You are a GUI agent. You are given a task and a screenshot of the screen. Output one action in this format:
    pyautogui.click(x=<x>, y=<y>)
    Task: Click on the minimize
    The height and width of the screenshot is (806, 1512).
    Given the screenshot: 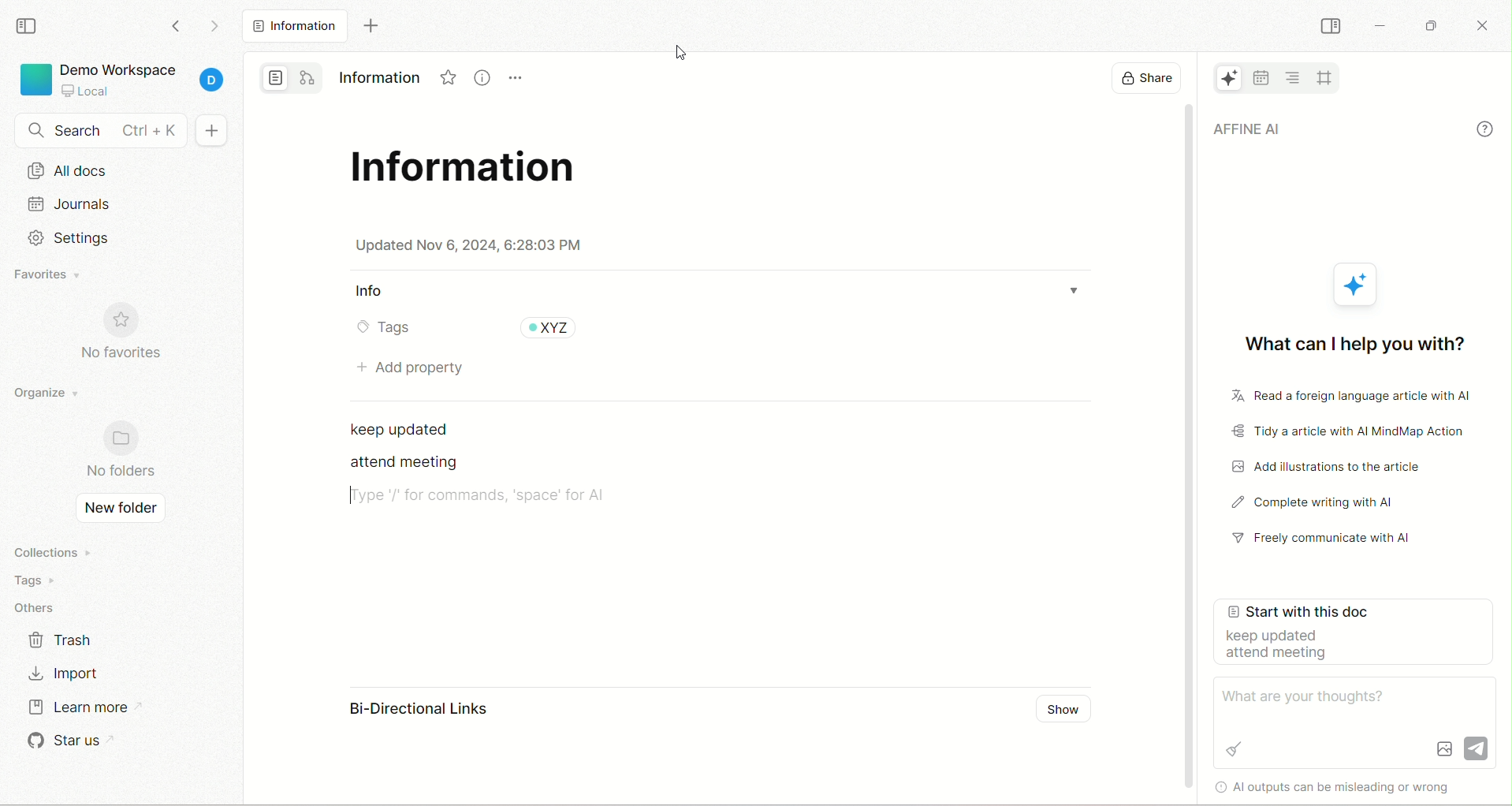 What is the action you would take?
    pyautogui.click(x=1380, y=26)
    